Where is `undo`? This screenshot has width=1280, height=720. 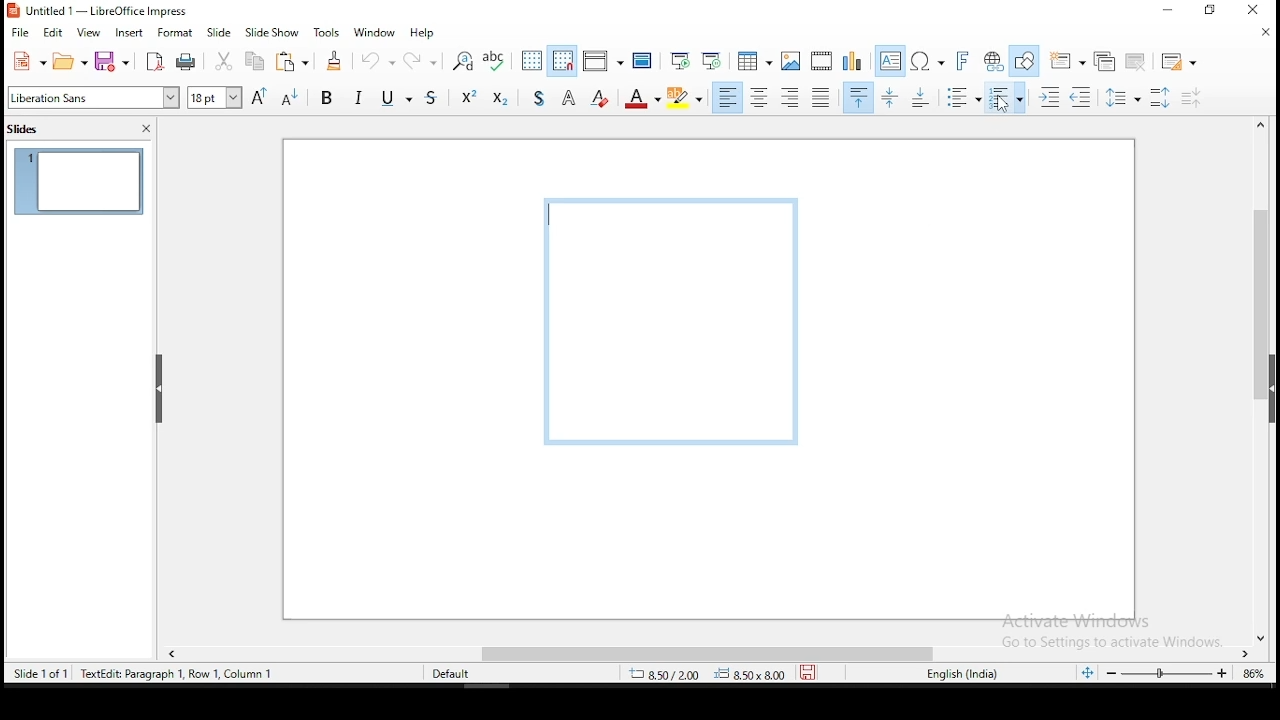 undo is located at coordinates (376, 60).